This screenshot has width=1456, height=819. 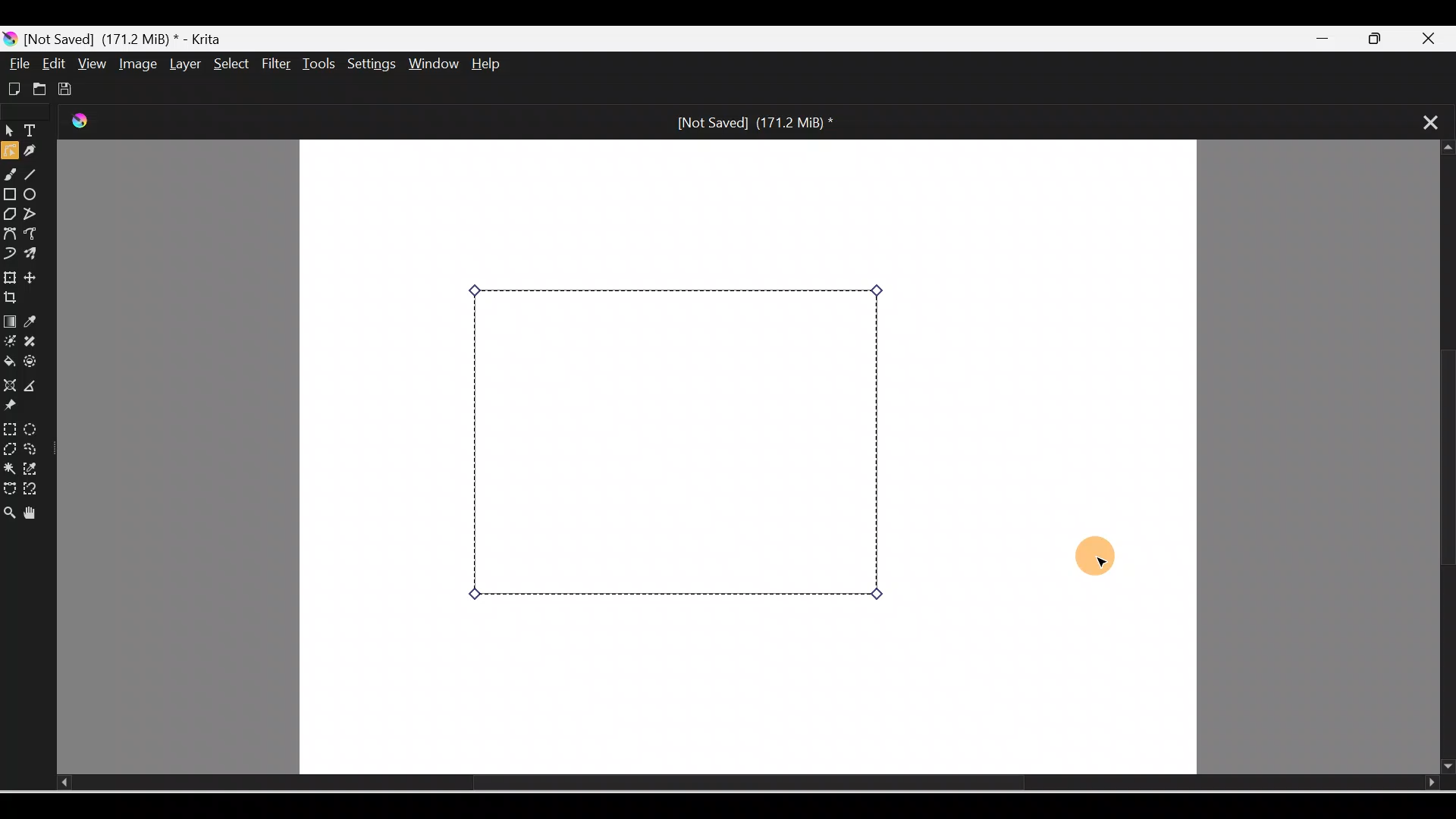 I want to click on Settings, so click(x=373, y=65).